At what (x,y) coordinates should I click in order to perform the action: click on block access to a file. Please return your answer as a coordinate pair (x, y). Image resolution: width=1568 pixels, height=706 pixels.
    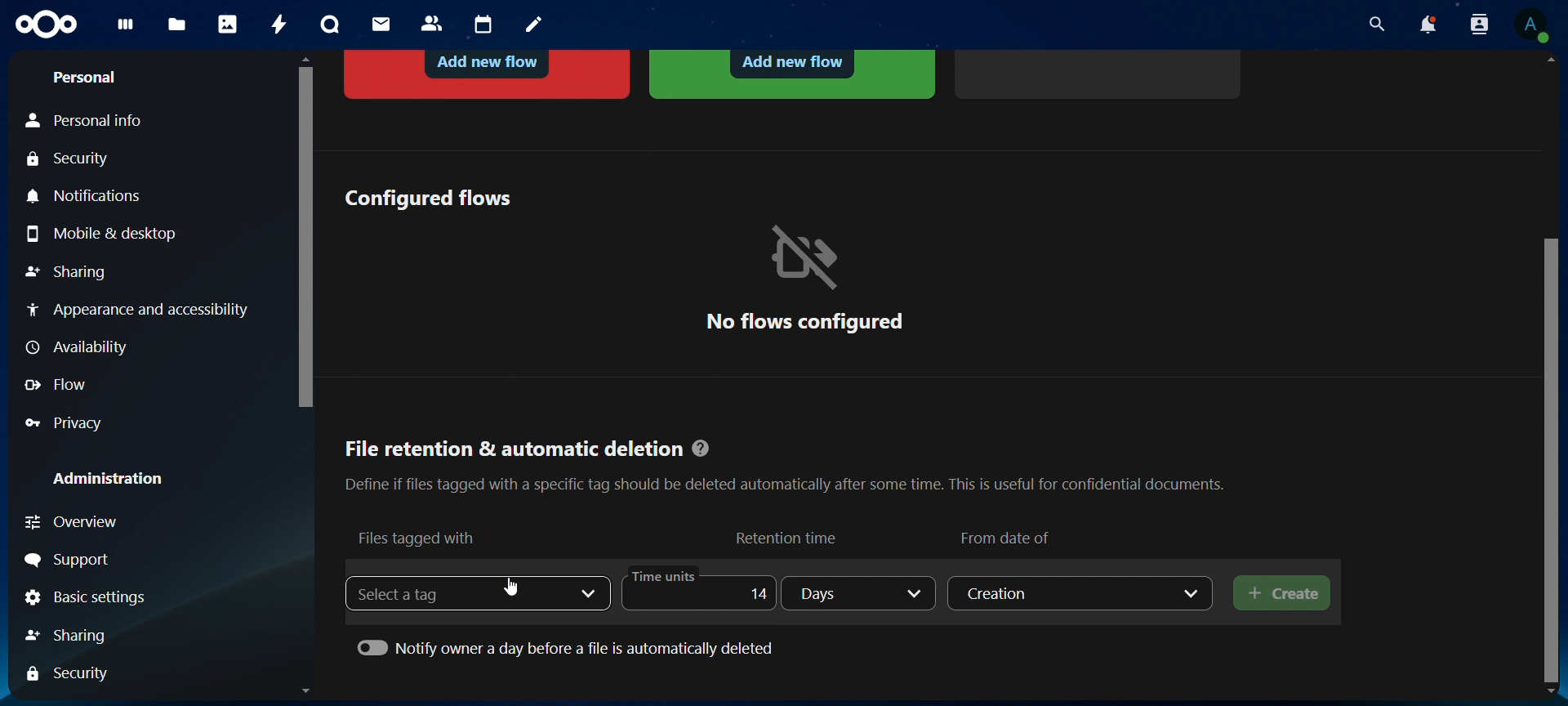
    Looking at the image, I should click on (489, 72).